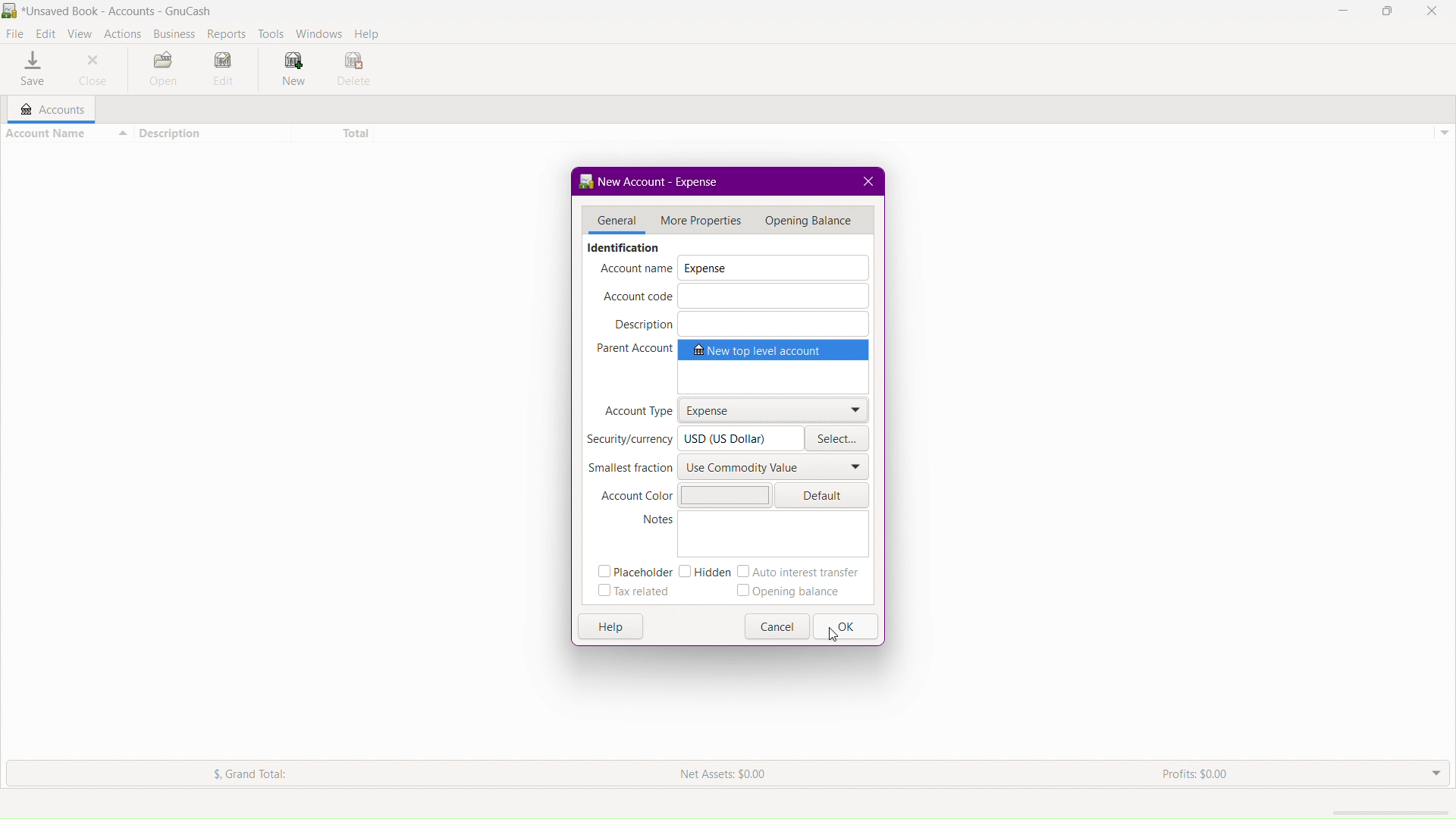 The height and width of the screenshot is (819, 1456). I want to click on Description, so click(212, 133).